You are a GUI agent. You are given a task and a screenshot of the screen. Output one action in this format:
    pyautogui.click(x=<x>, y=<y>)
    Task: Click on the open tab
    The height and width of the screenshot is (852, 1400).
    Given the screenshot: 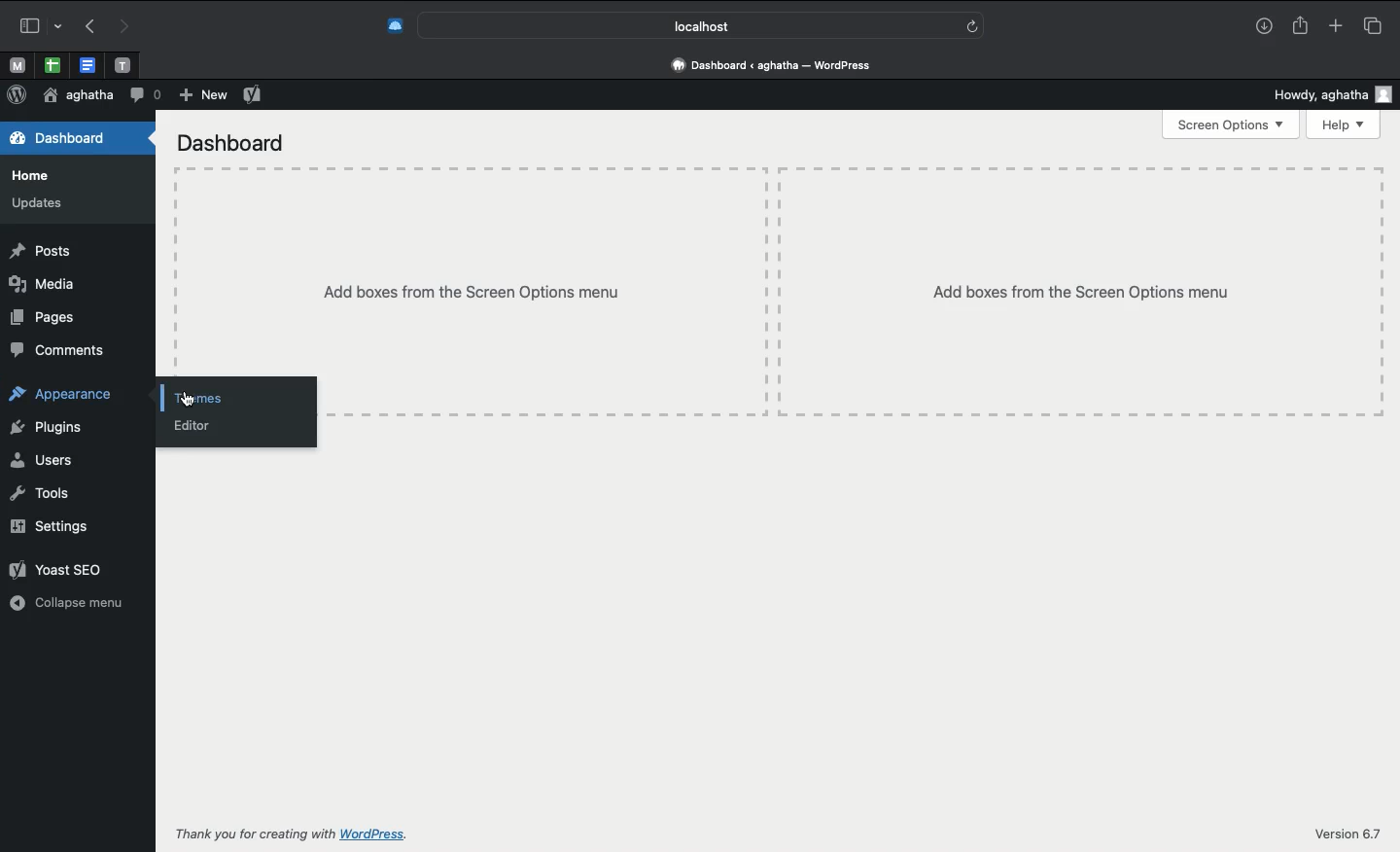 What is the action you would take?
    pyautogui.click(x=17, y=66)
    